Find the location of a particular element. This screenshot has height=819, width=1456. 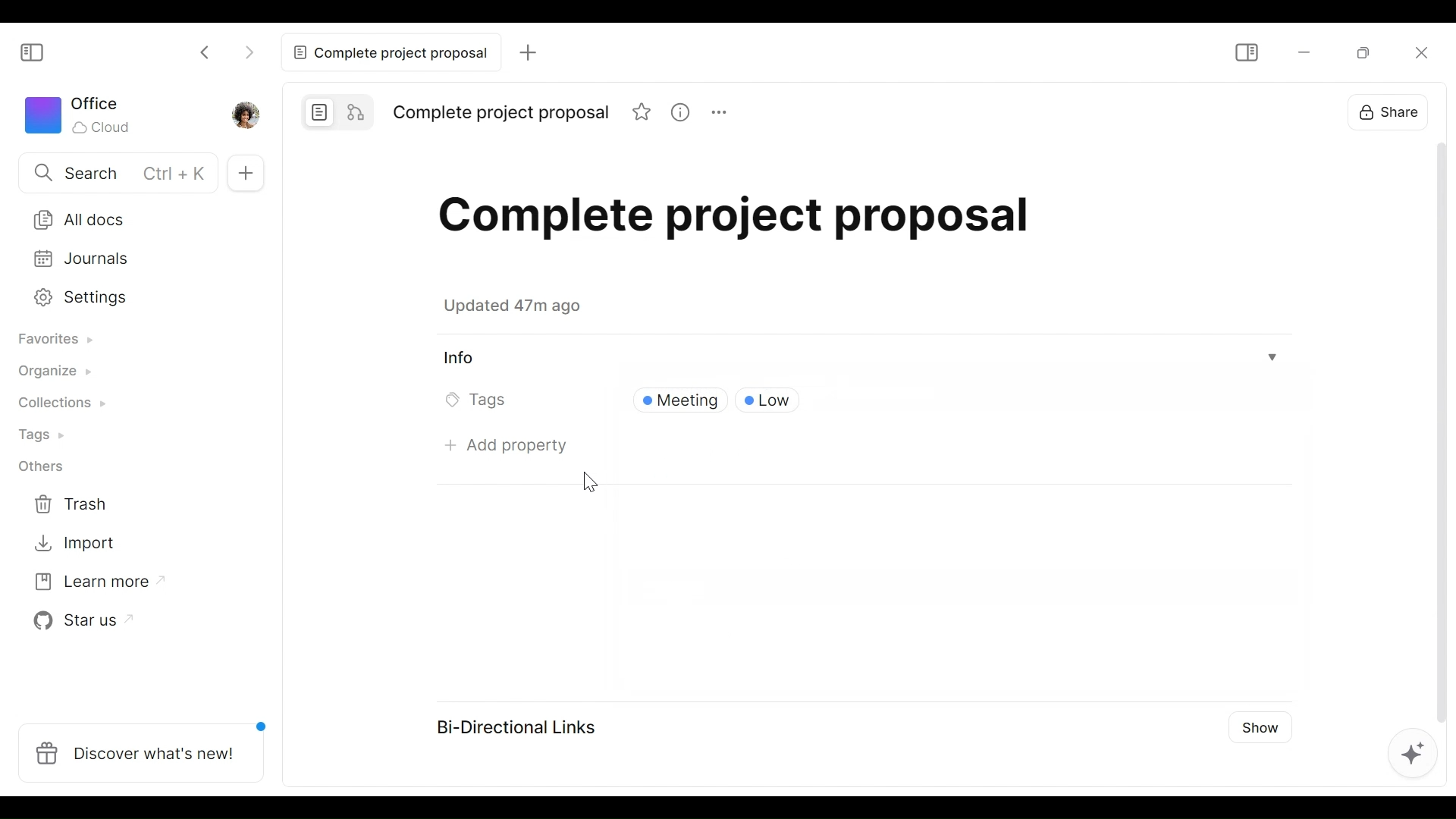

Complete project proposal is located at coordinates (388, 52).